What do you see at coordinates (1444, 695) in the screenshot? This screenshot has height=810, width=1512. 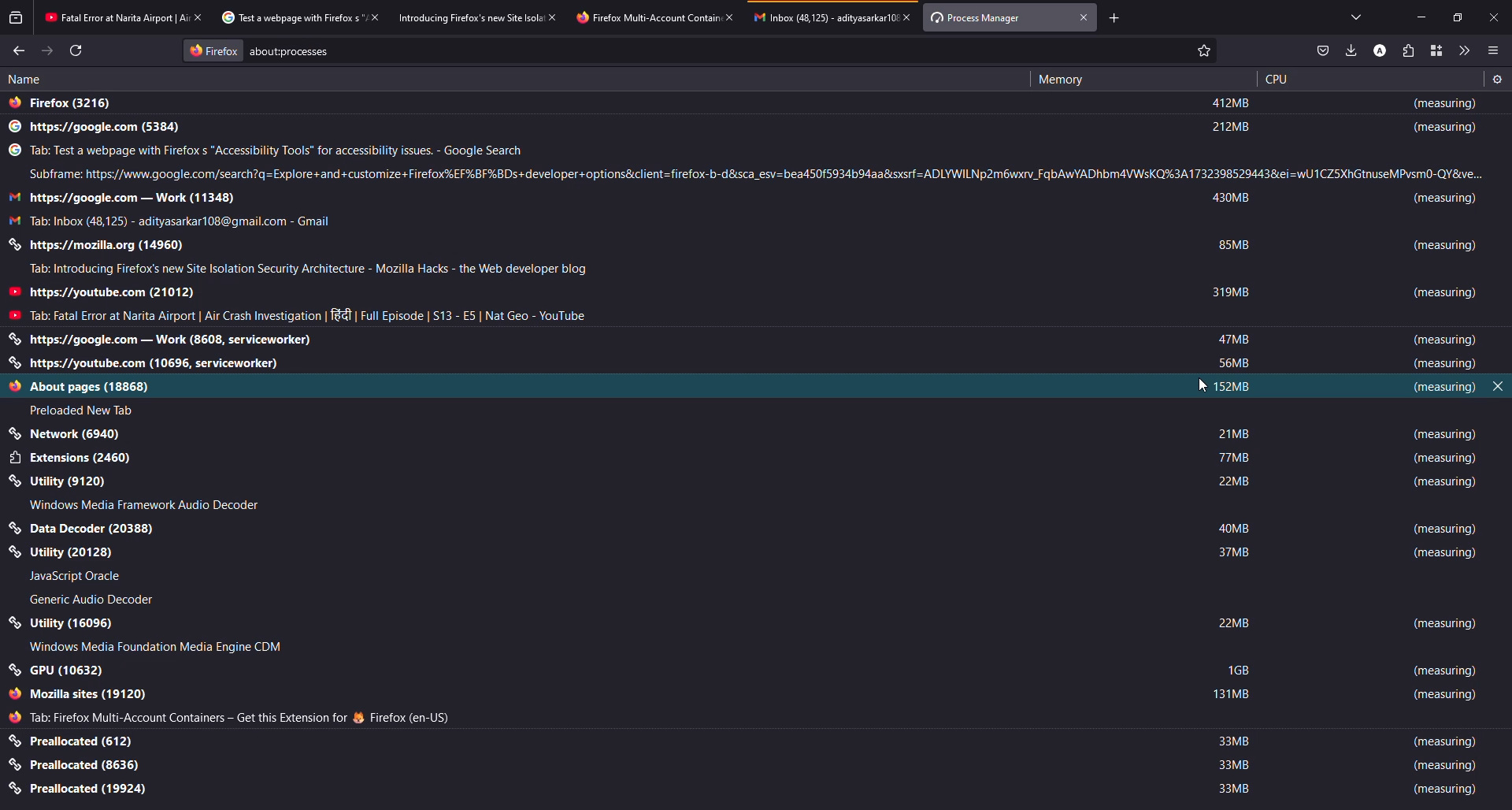 I see `measuring` at bounding box center [1444, 695].